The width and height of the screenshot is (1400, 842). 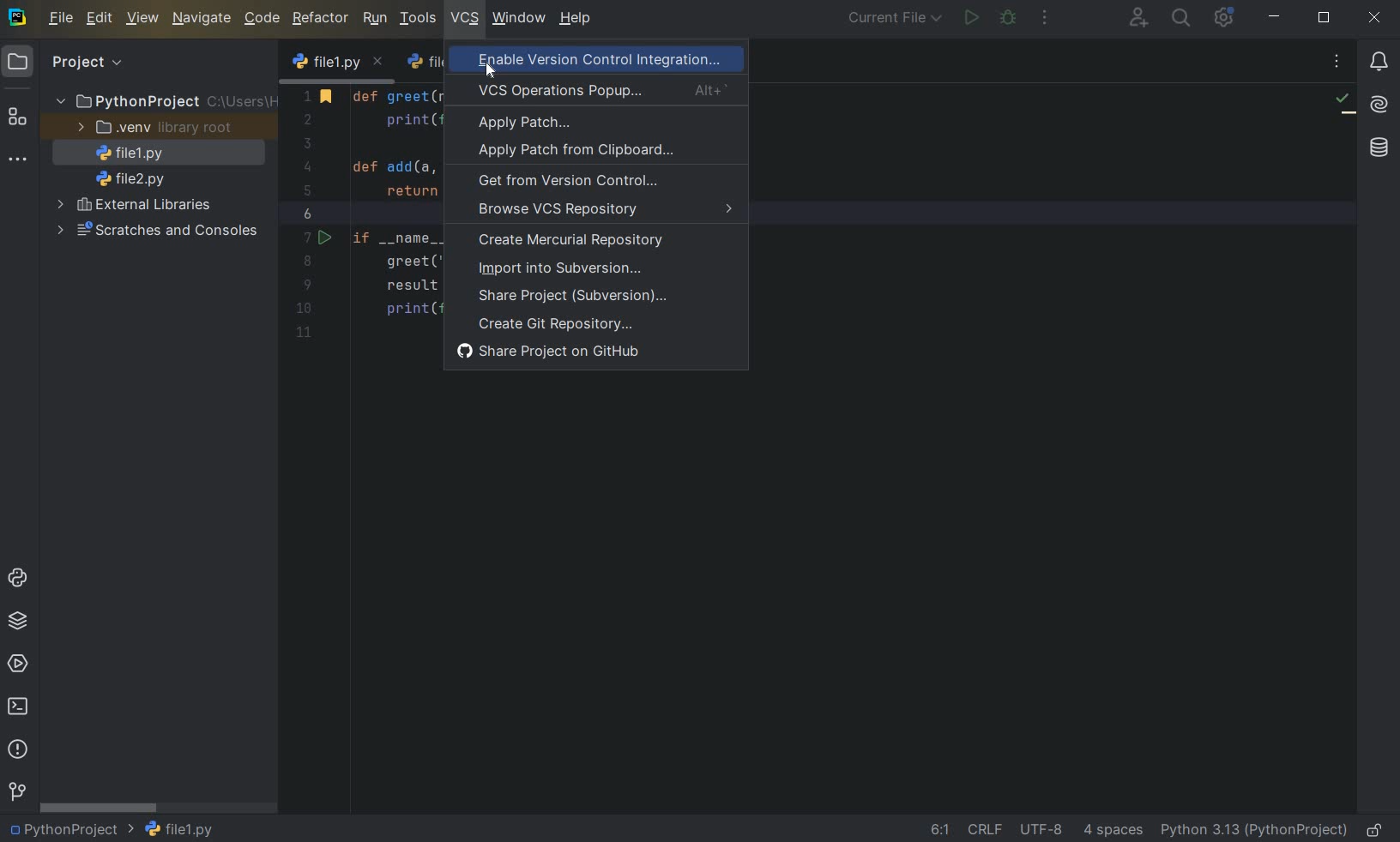 What do you see at coordinates (576, 270) in the screenshot?
I see `import into subversion` at bounding box center [576, 270].